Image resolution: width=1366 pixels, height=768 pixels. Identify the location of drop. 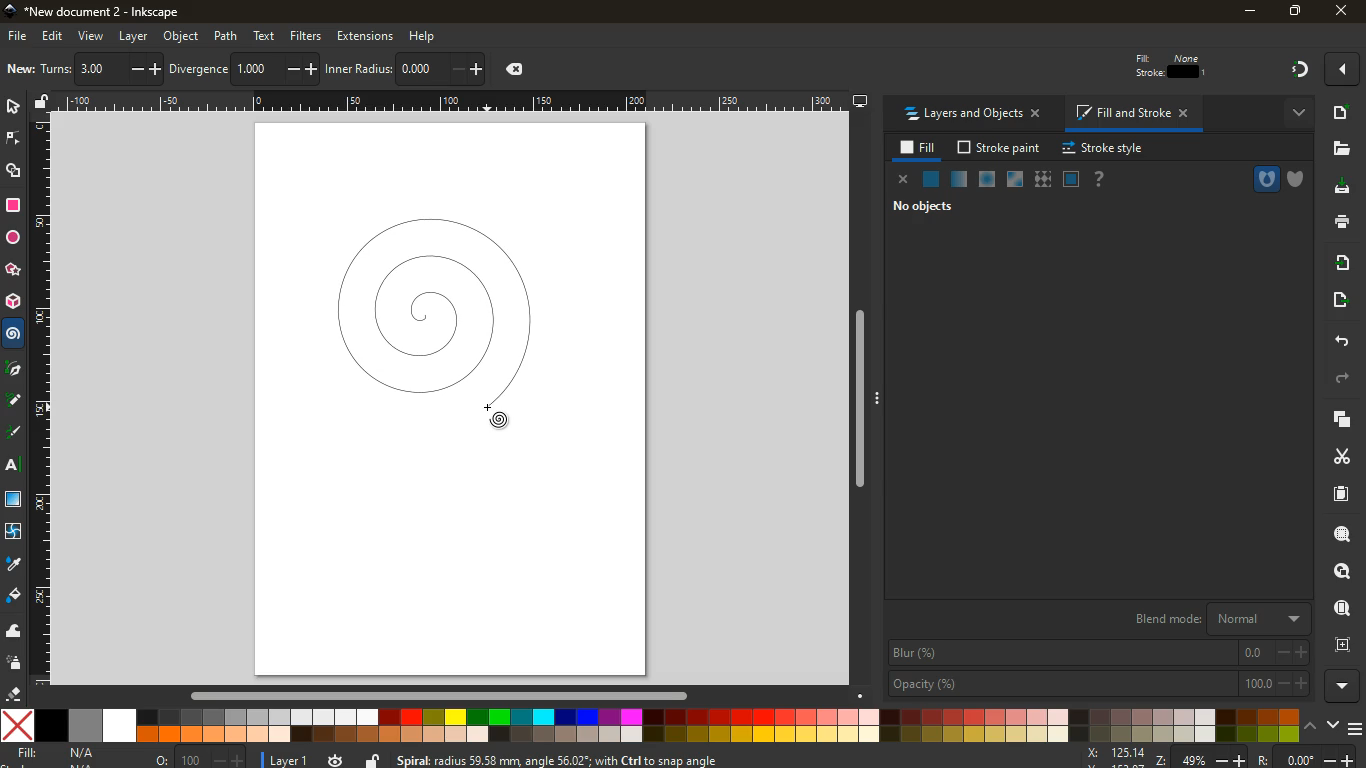
(14, 566).